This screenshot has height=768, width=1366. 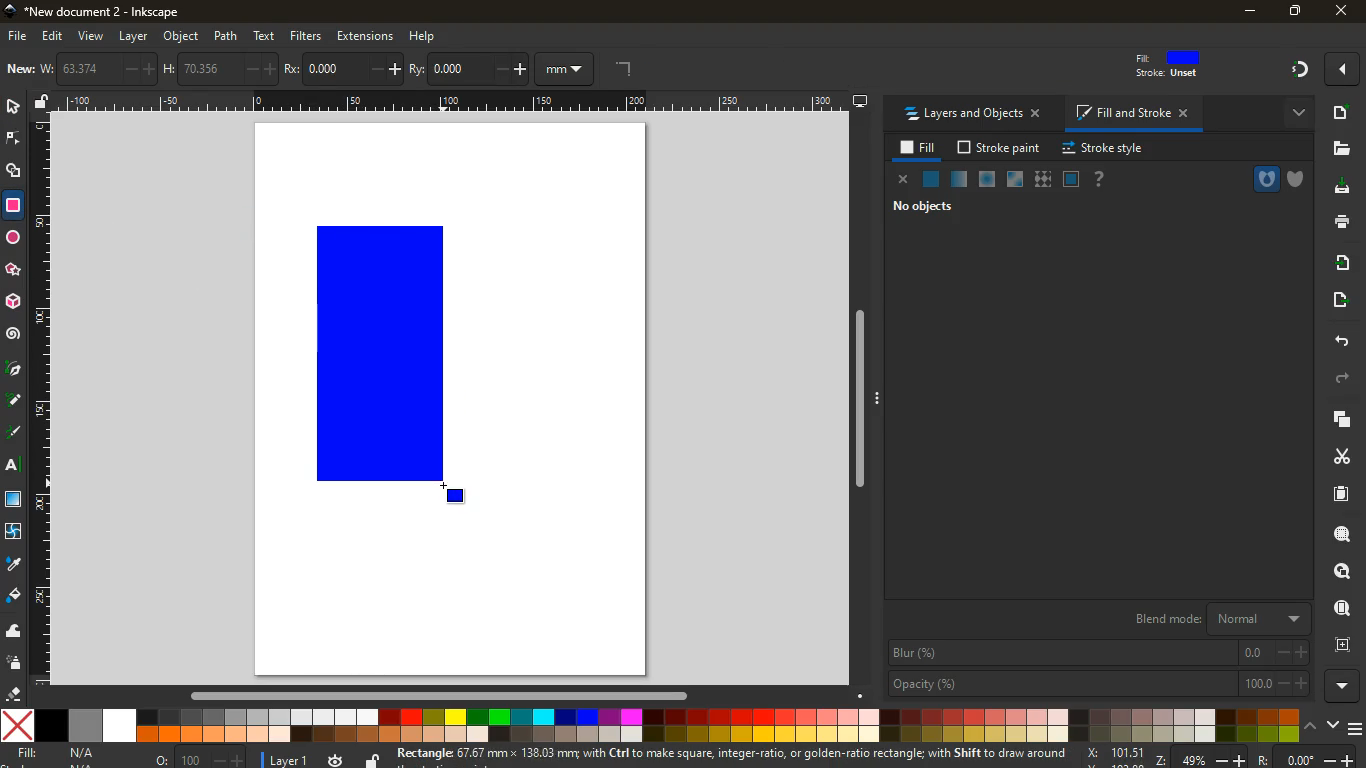 I want to click on minimize, so click(x=1248, y=12).